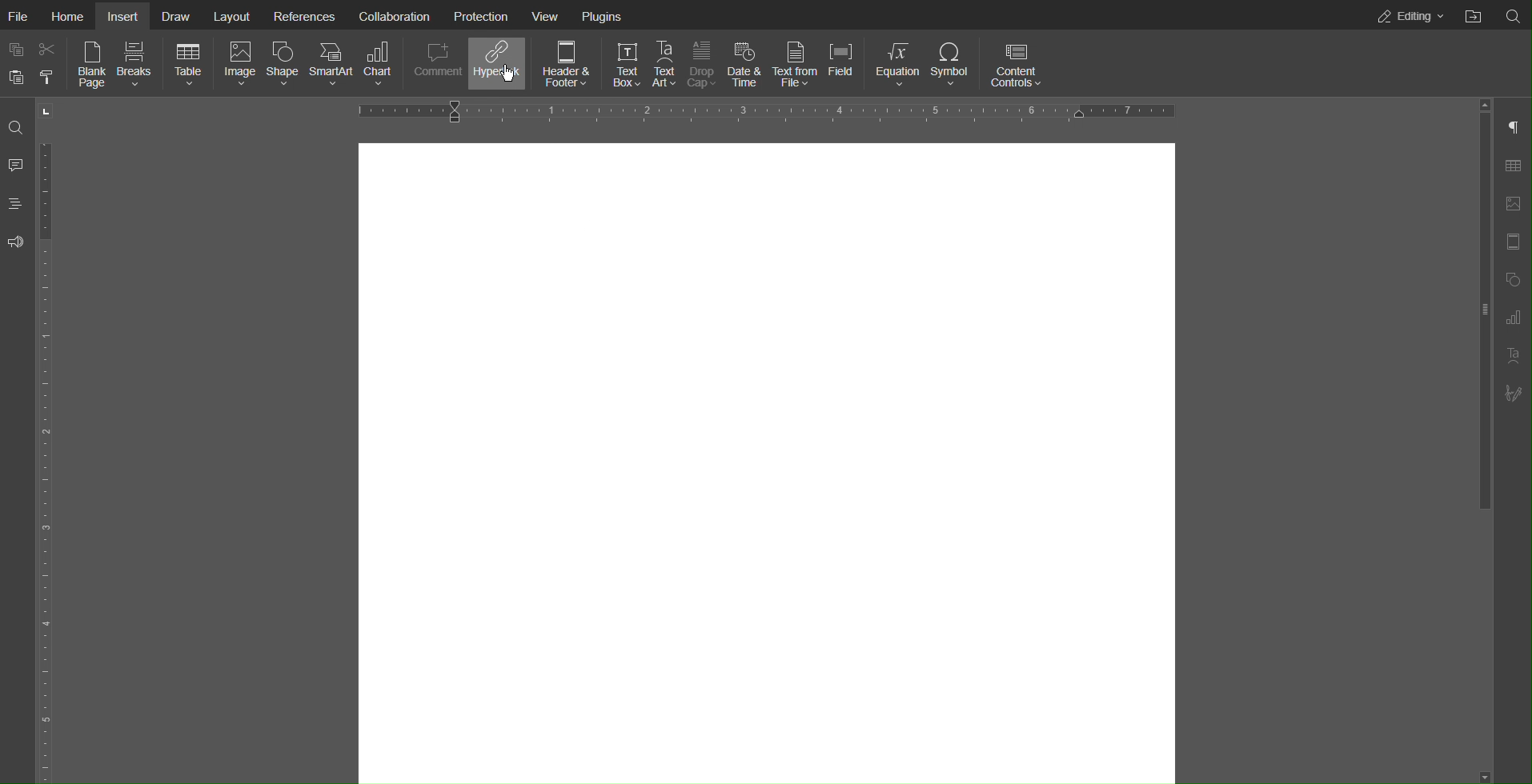 Image resolution: width=1532 pixels, height=784 pixels. Describe the element at coordinates (122, 16) in the screenshot. I see `Insert` at that location.